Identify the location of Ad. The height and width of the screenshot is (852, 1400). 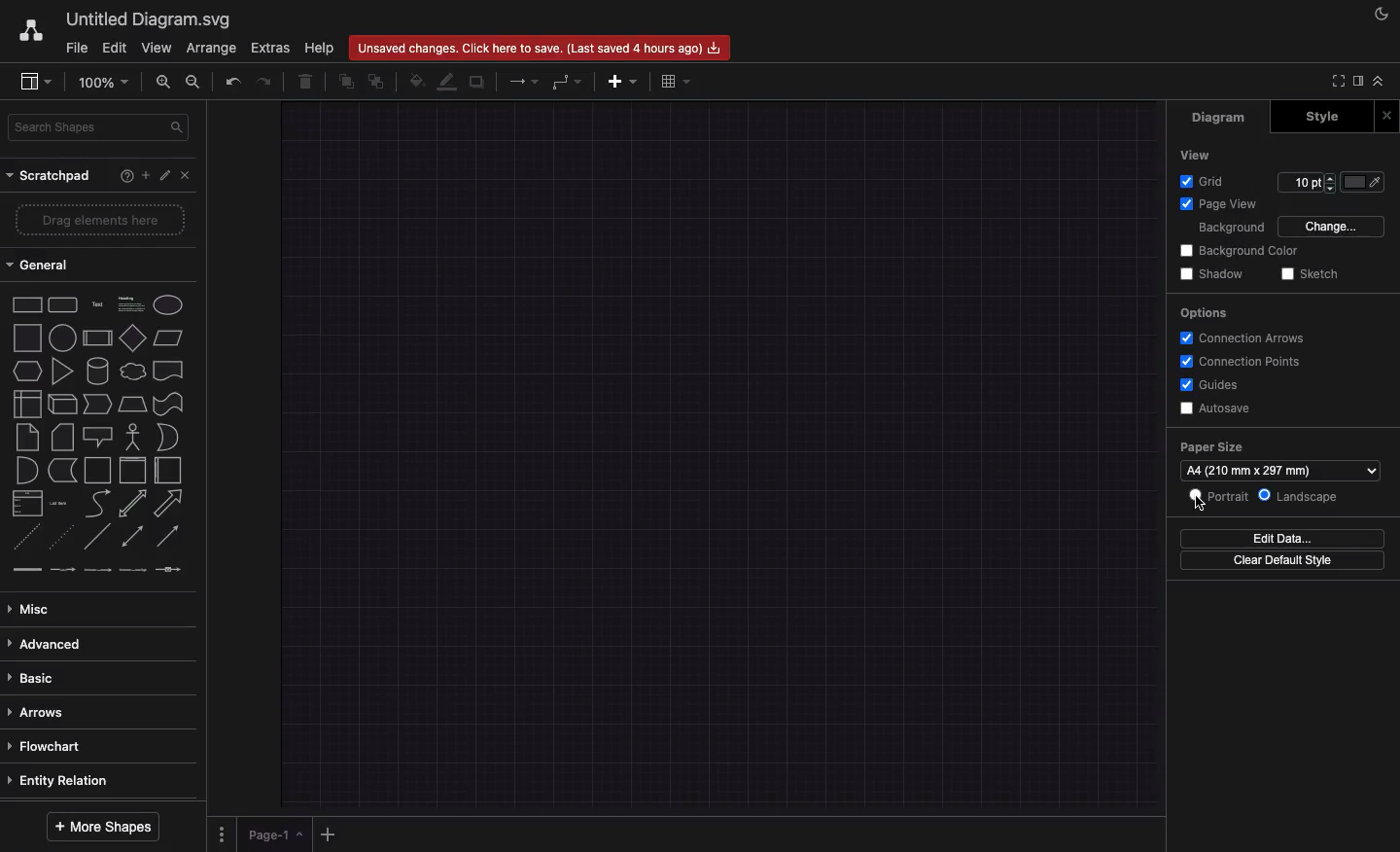
(142, 177).